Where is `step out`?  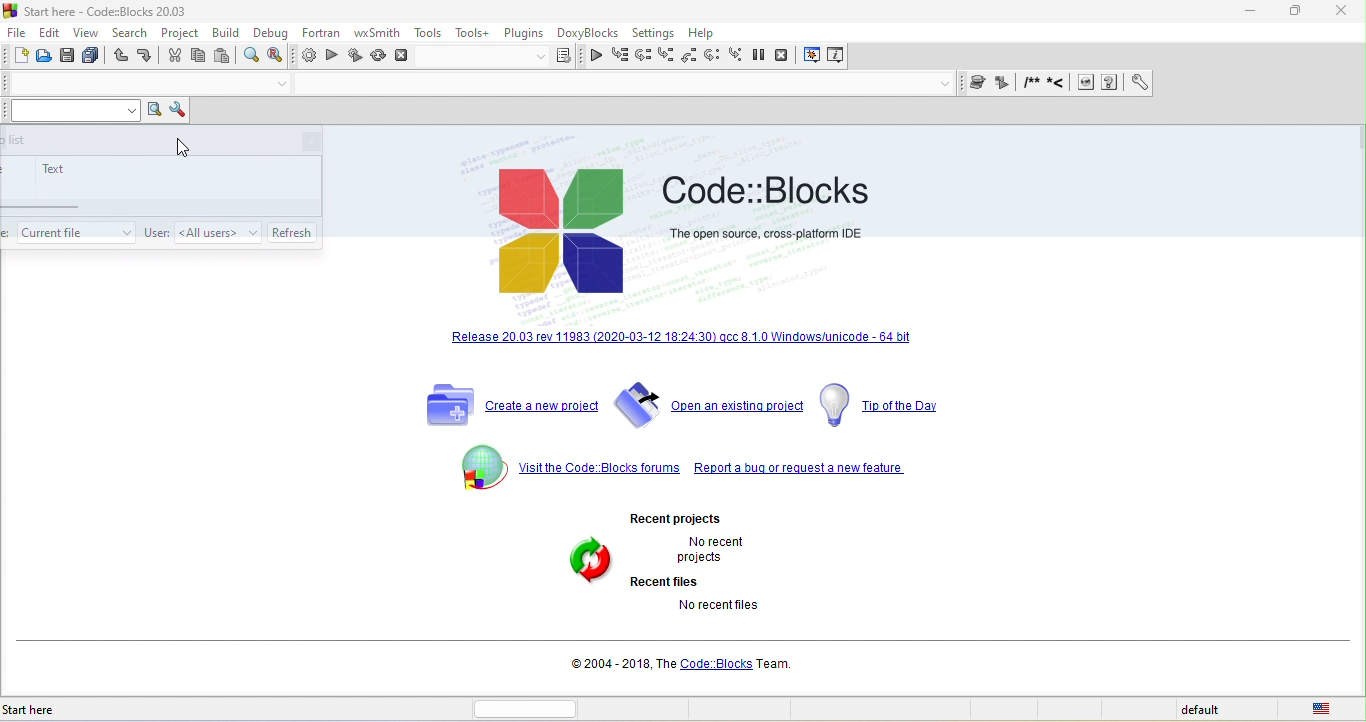 step out is located at coordinates (691, 57).